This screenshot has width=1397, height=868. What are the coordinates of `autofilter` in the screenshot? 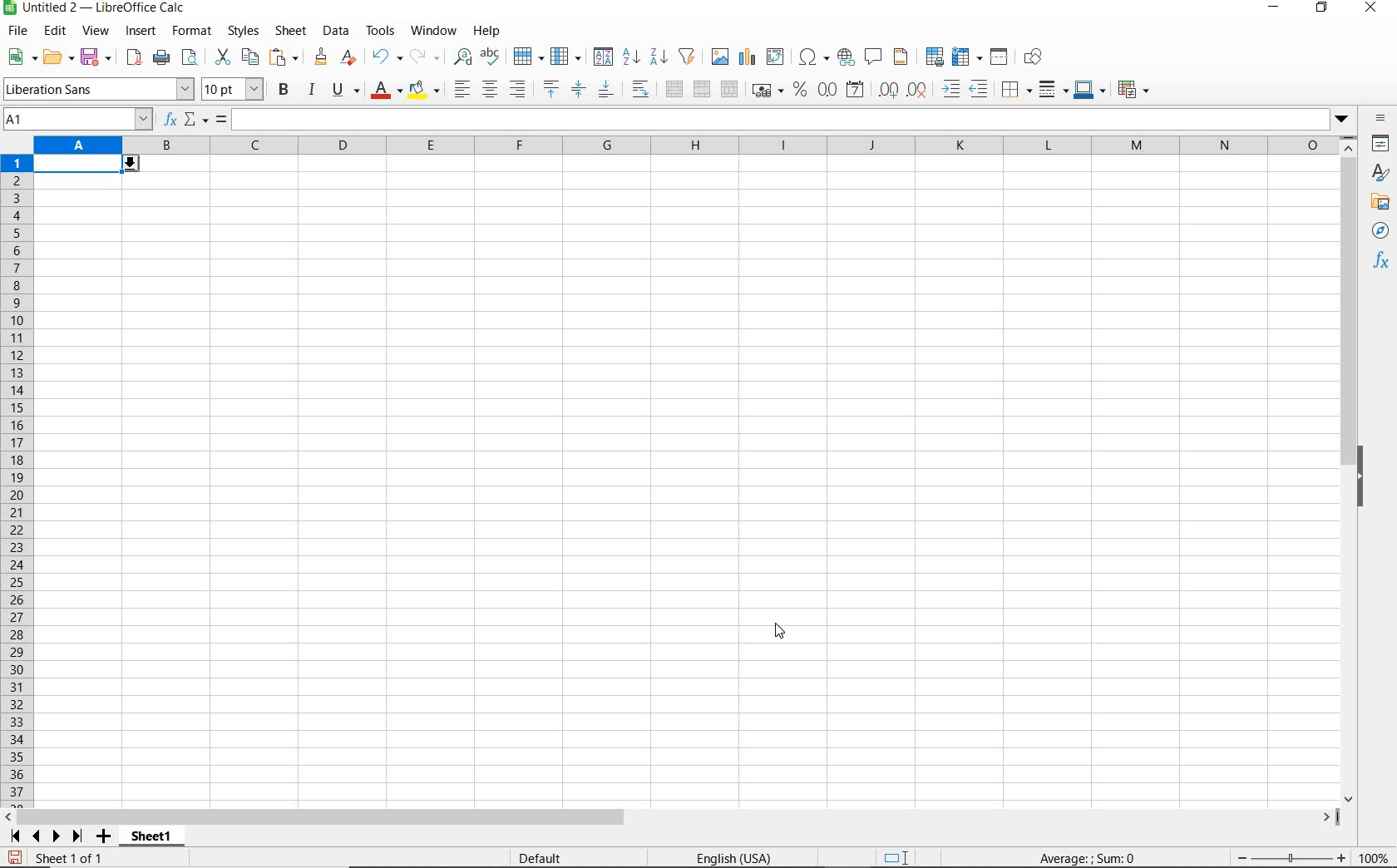 It's located at (686, 57).